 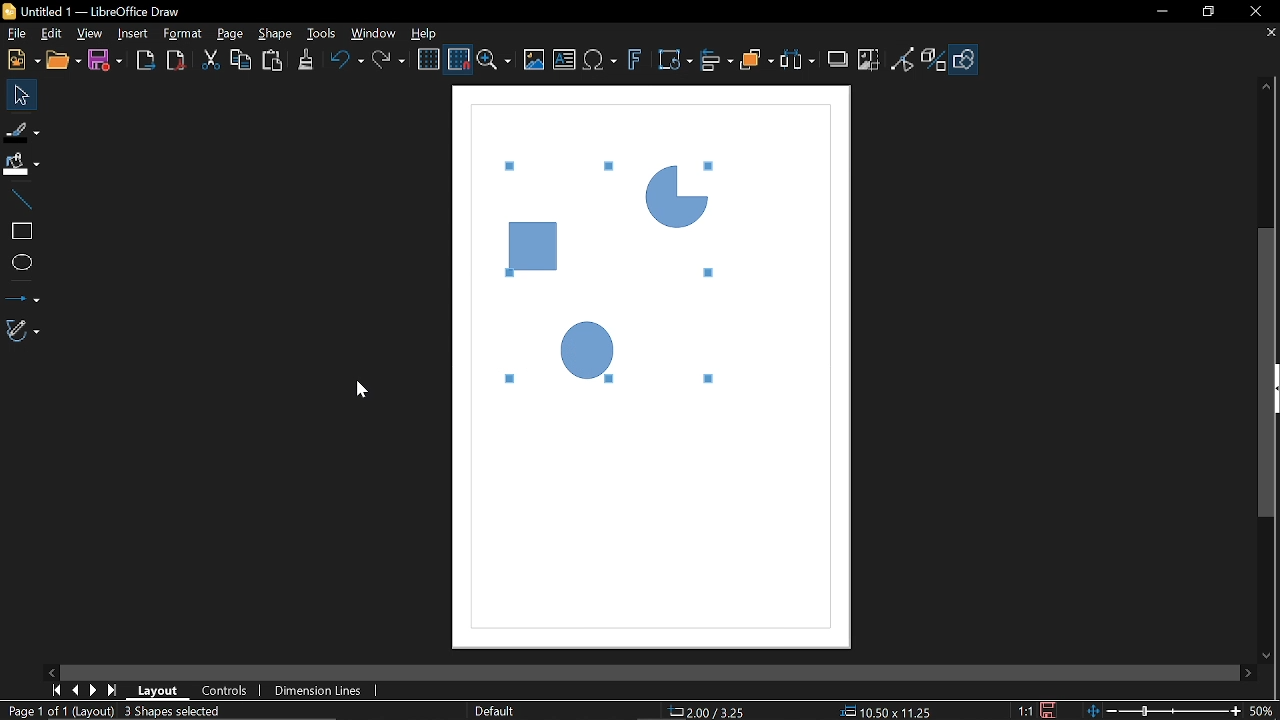 I want to click on Minimize, so click(x=1157, y=12).